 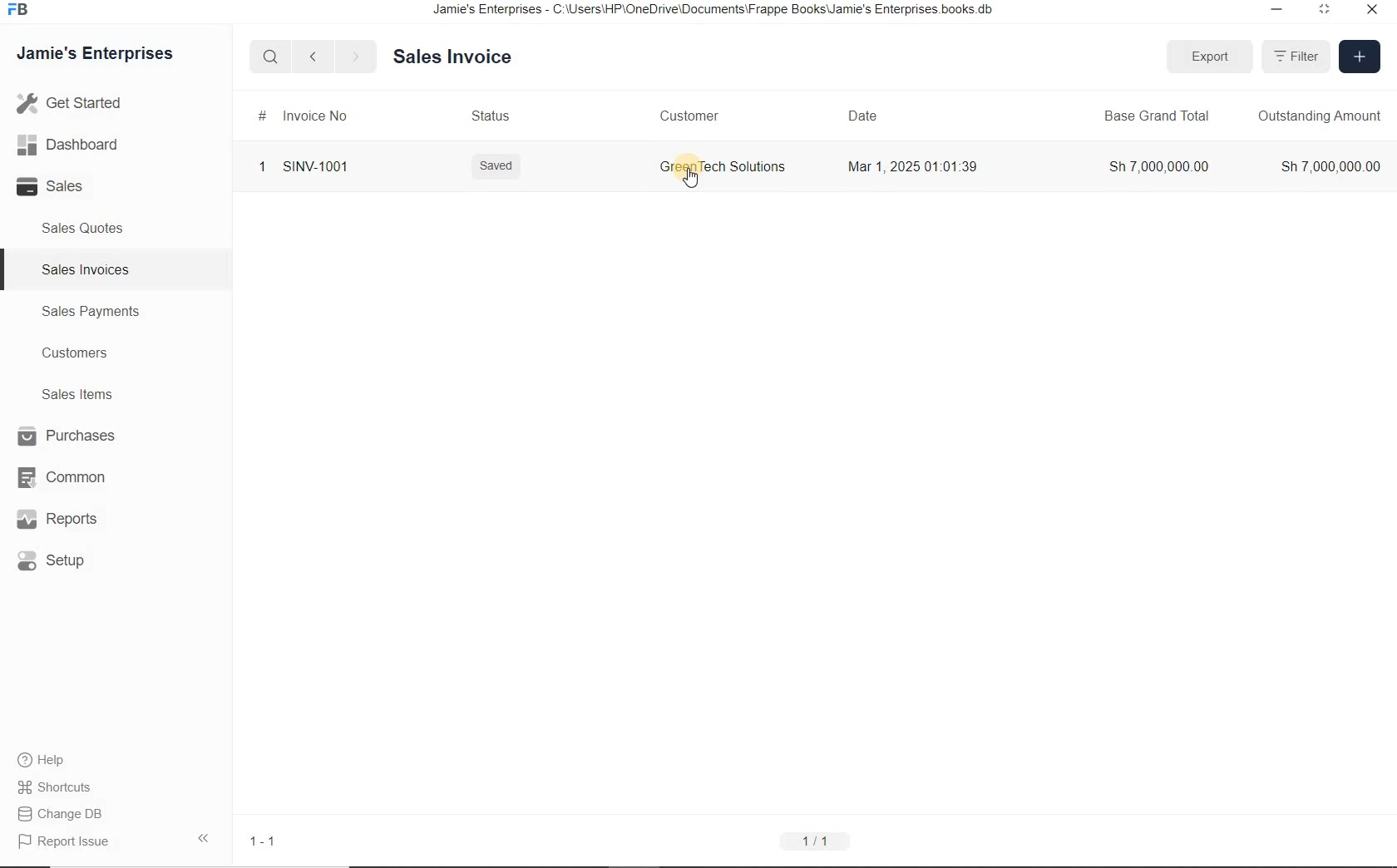 What do you see at coordinates (312, 57) in the screenshot?
I see `previous page` at bounding box center [312, 57].